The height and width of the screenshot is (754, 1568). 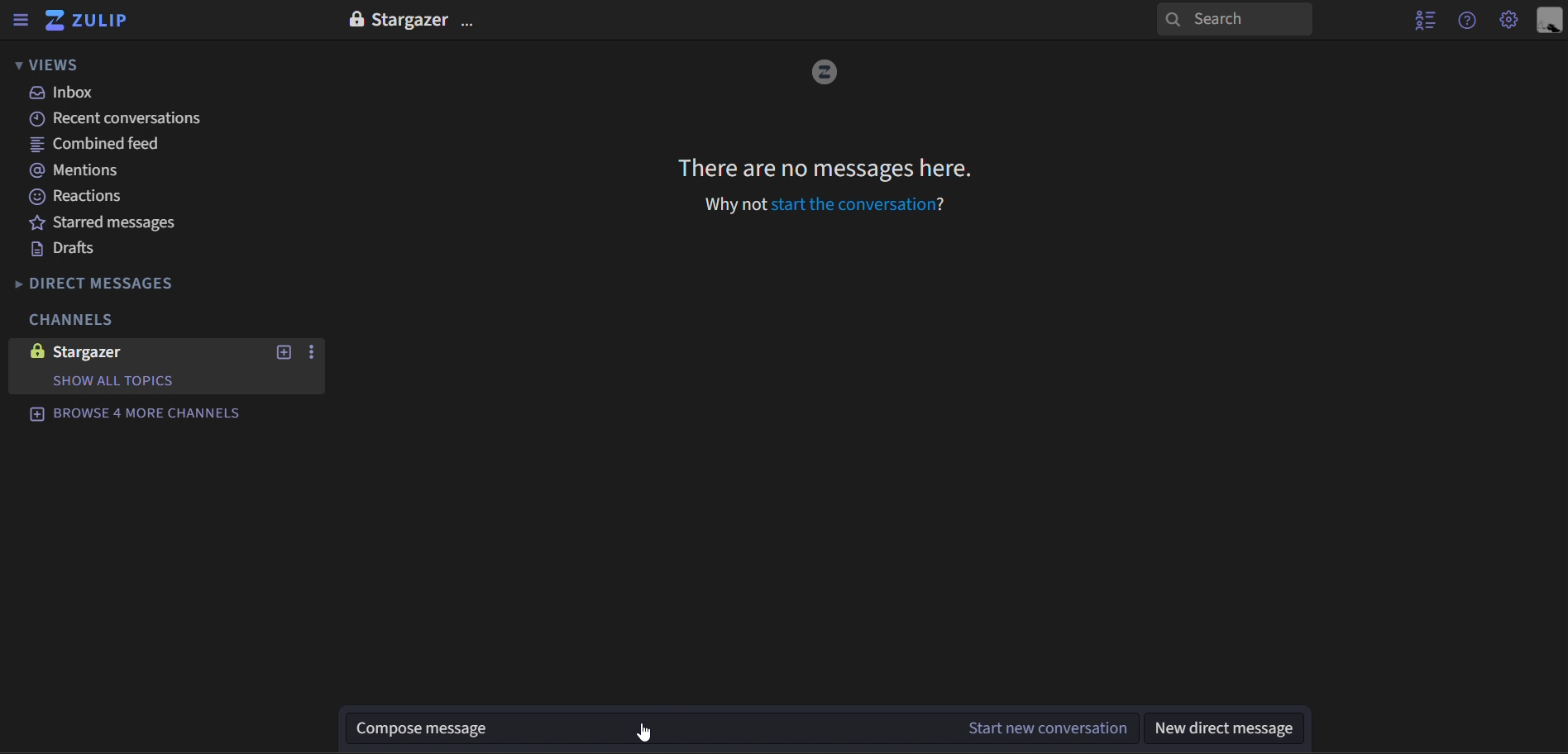 I want to click on Compose message, so click(x=648, y=728).